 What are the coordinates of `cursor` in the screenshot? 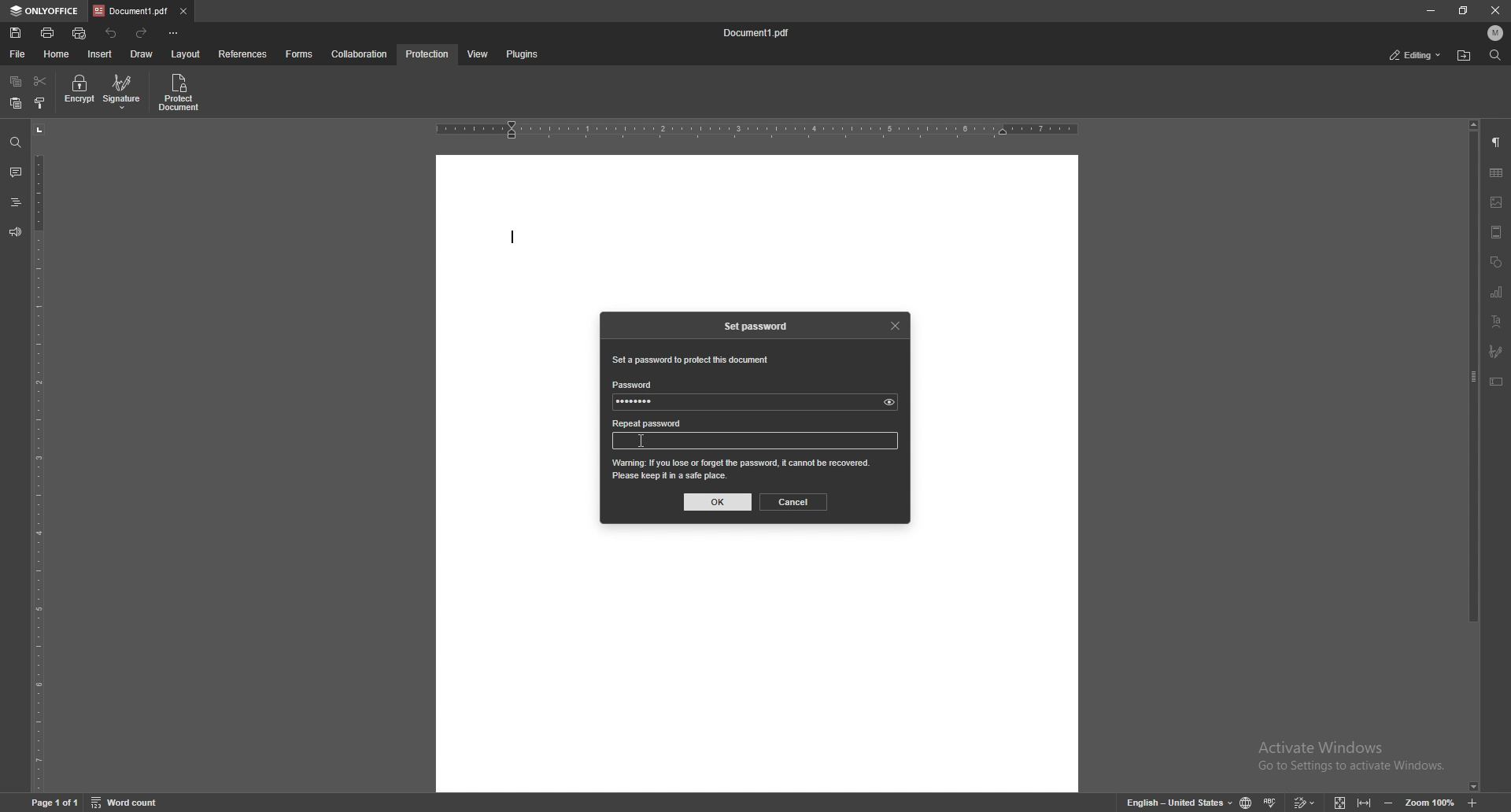 It's located at (642, 441).